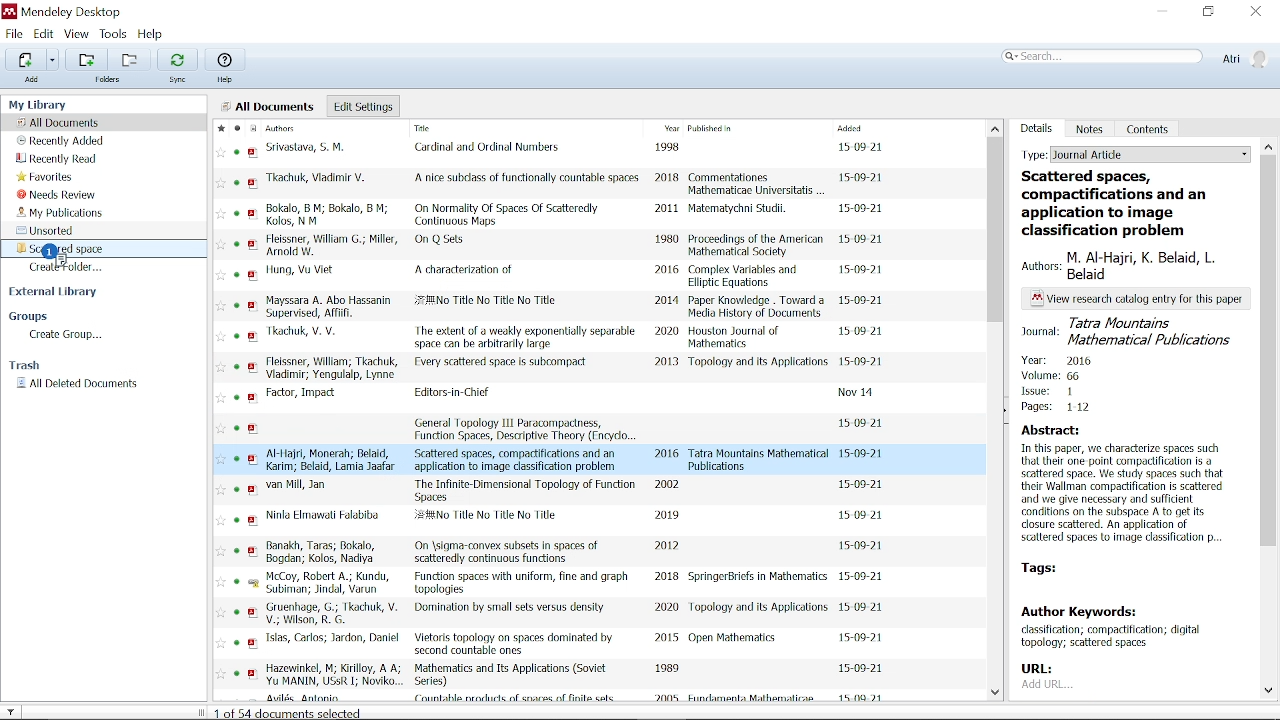  I want to click on title, so click(488, 303).